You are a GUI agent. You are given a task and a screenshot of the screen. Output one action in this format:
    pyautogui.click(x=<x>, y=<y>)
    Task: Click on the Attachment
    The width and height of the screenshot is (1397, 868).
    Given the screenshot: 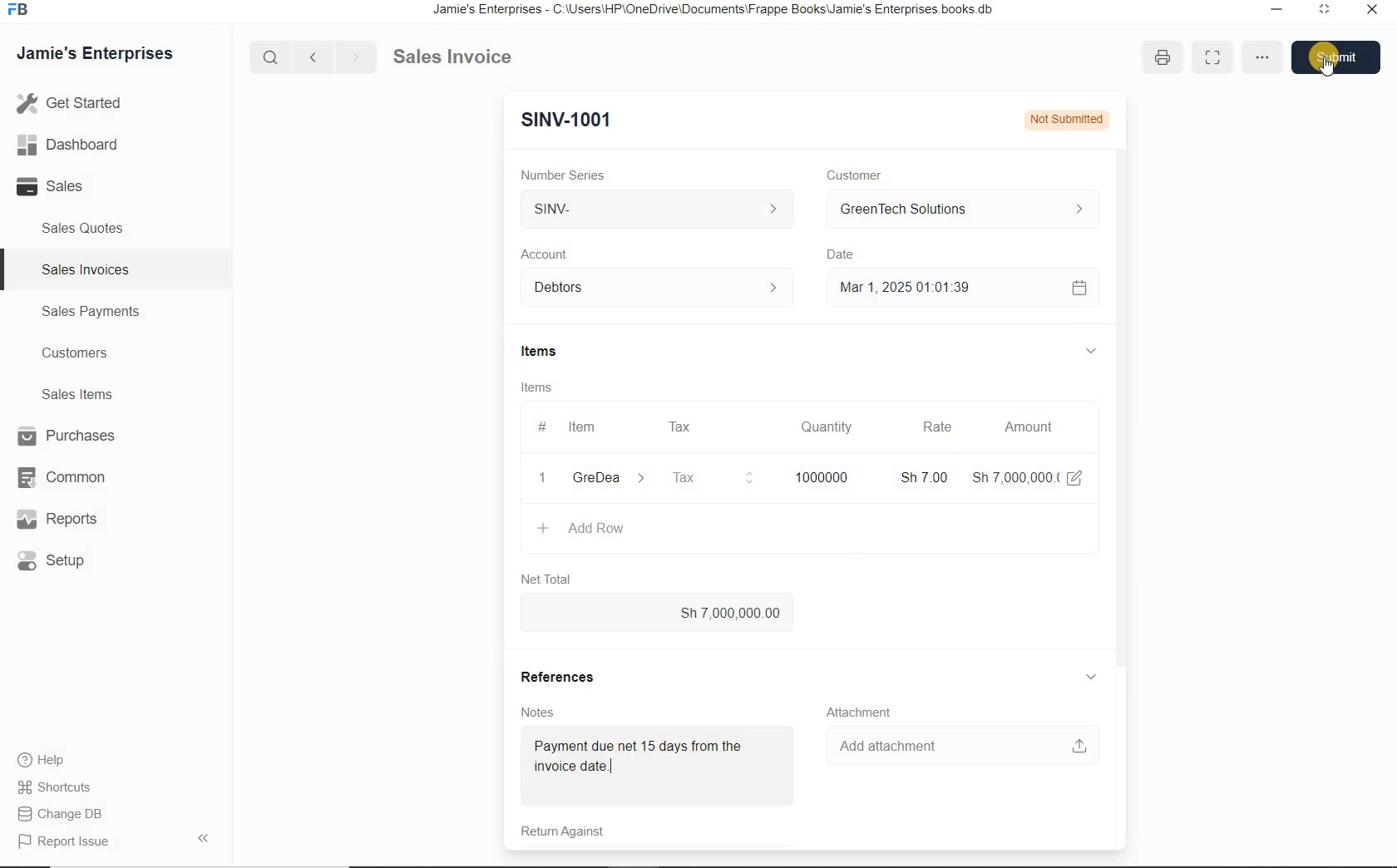 What is the action you would take?
    pyautogui.click(x=863, y=711)
    